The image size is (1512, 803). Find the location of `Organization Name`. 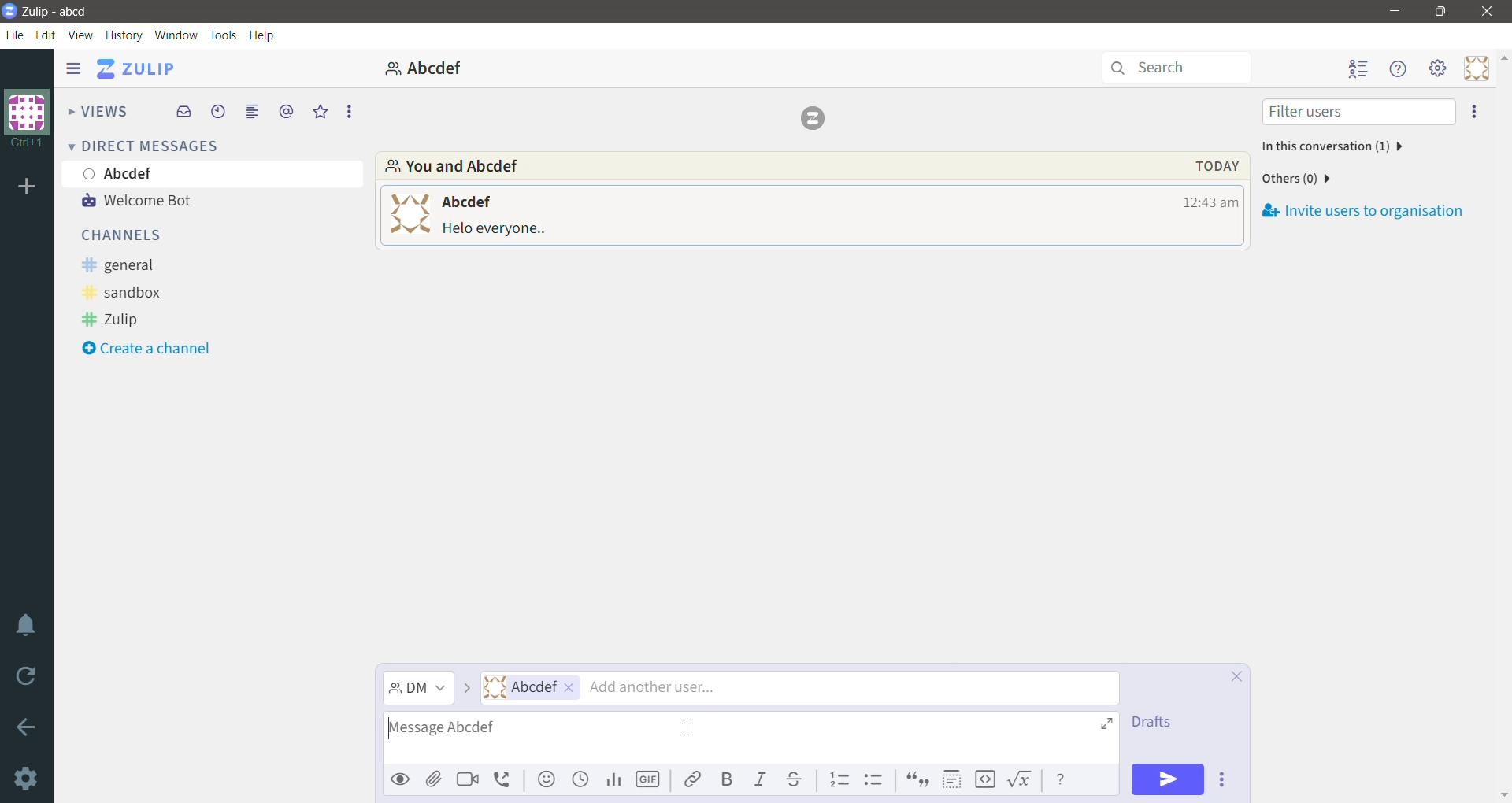

Organization Name is located at coordinates (27, 189).